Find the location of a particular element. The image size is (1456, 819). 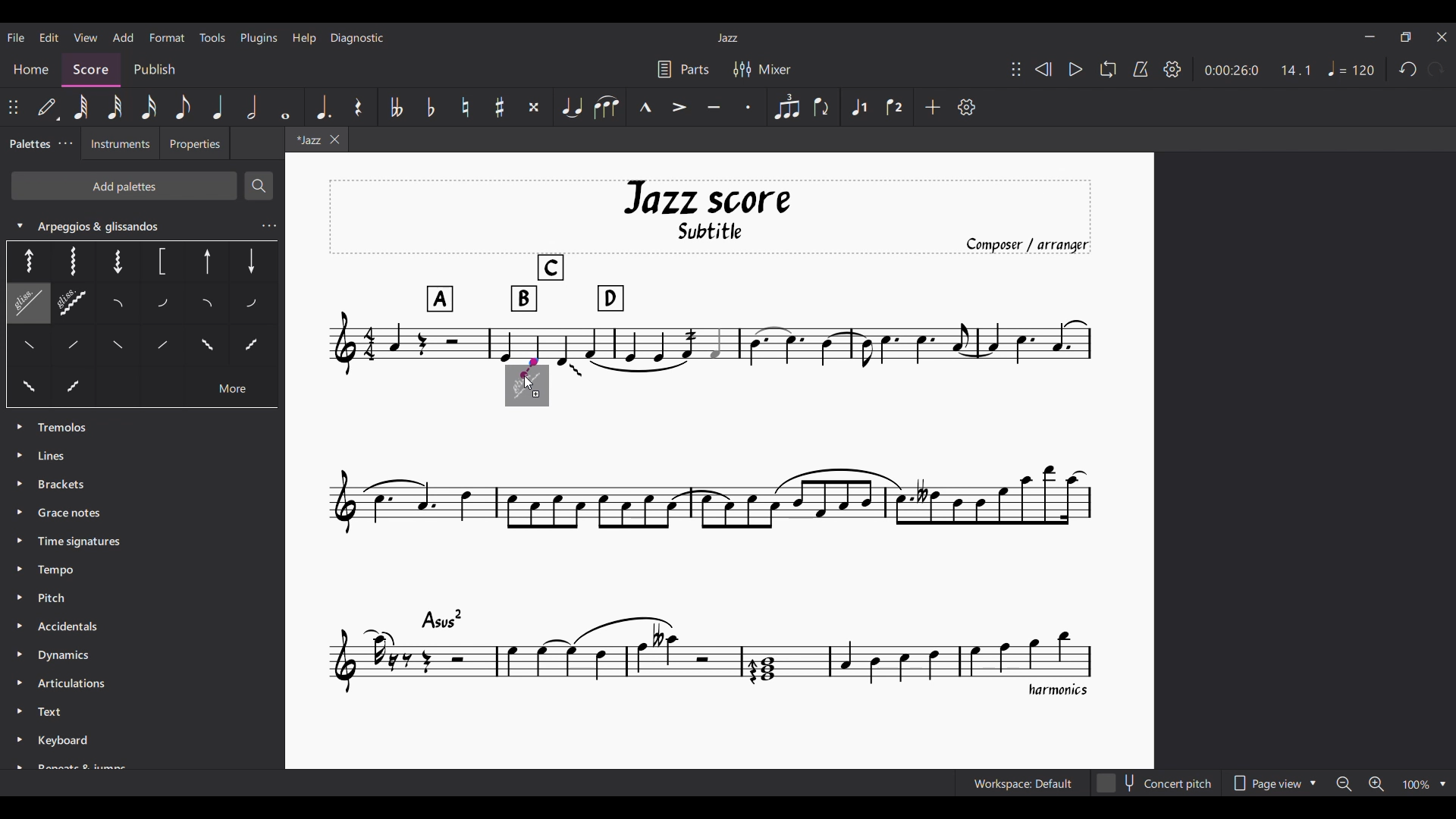

64th note is located at coordinates (80, 106).